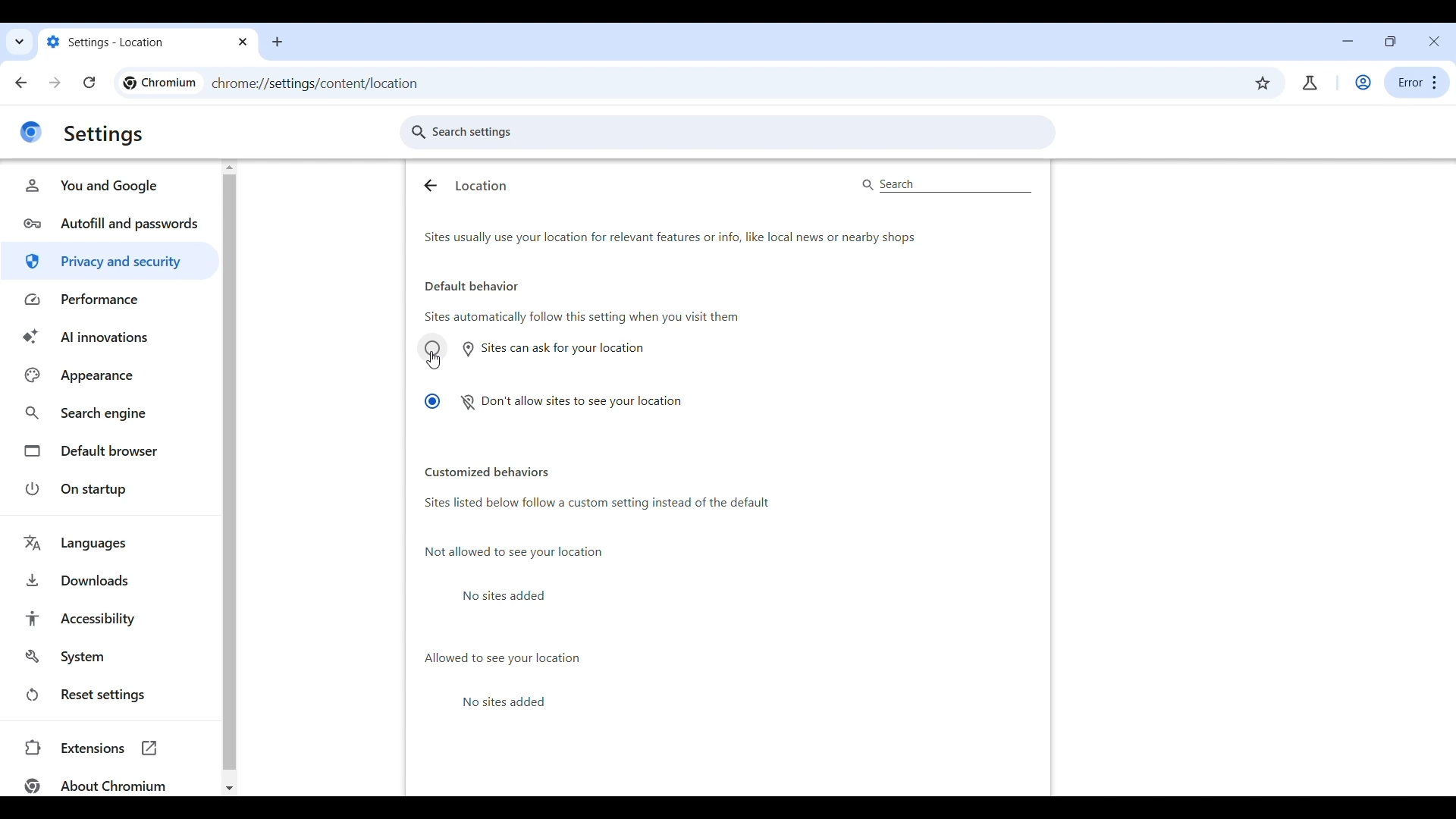 The height and width of the screenshot is (819, 1456). Describe the element at coordinates (229, 165) in the screenshot. I see `quick slide to top` at that location.